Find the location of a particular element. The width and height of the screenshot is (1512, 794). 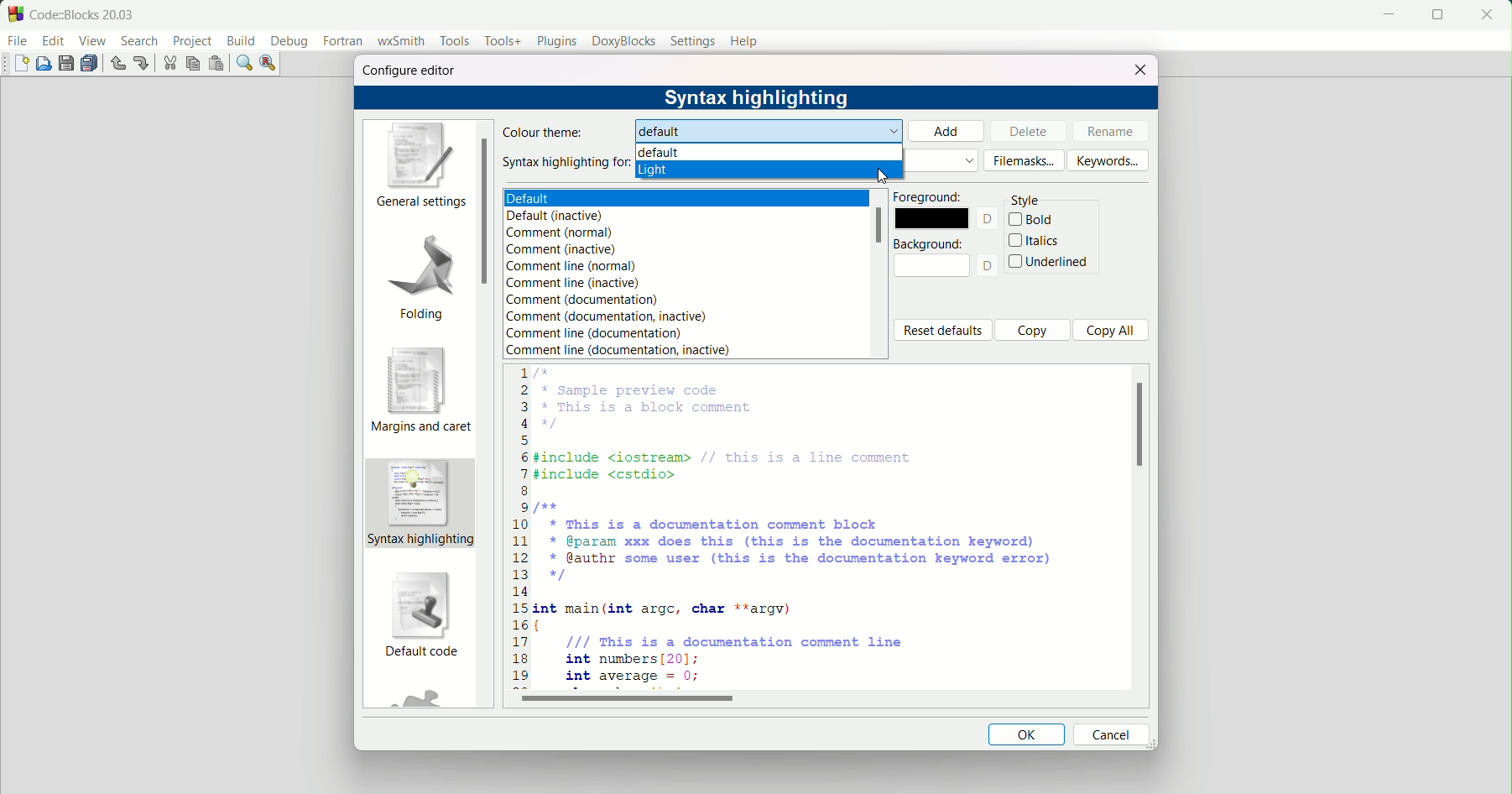

rename is located at coordinates (1107, 130).